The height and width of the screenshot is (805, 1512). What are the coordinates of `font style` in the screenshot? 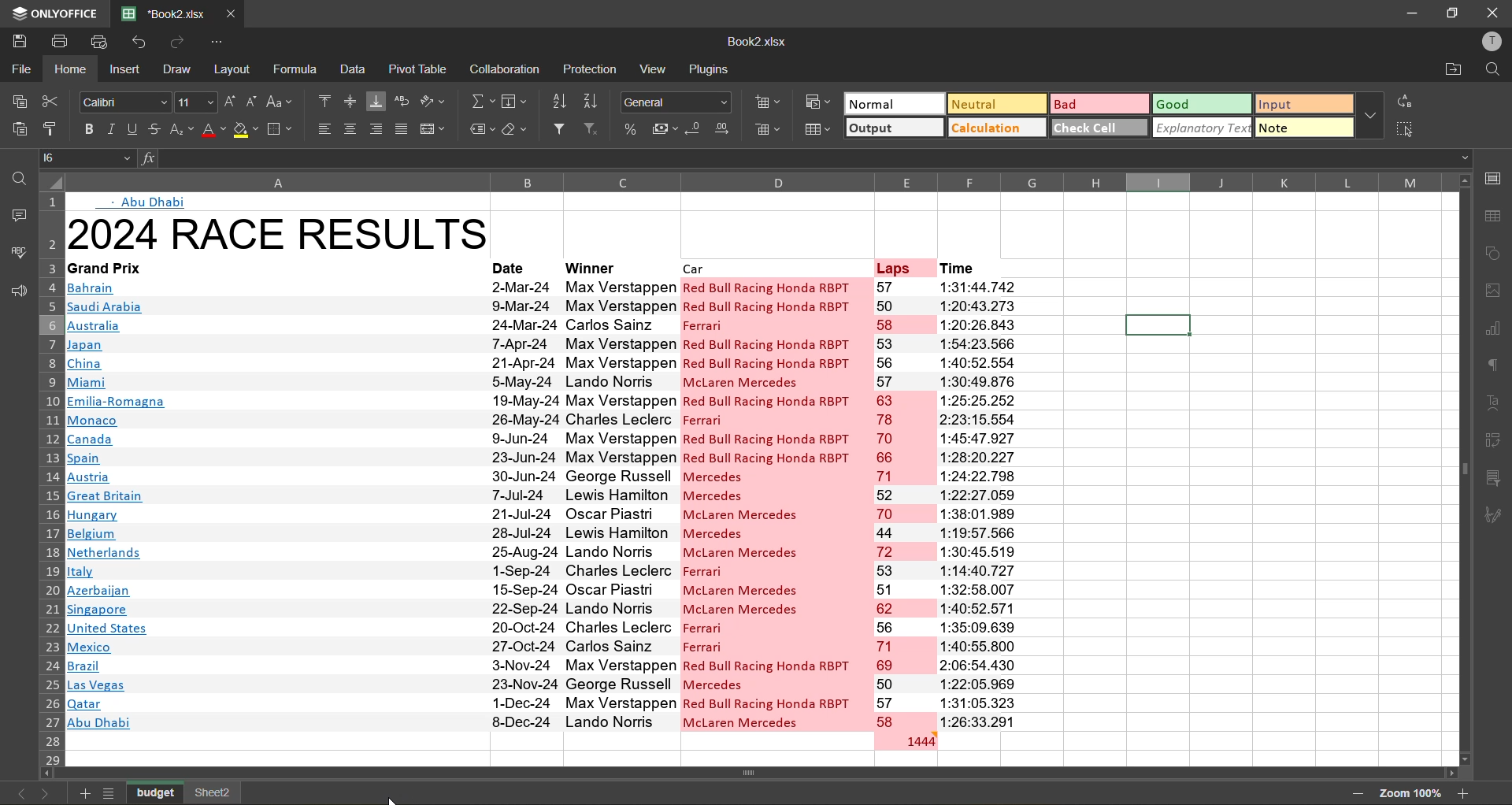 It's located at (123, 100).